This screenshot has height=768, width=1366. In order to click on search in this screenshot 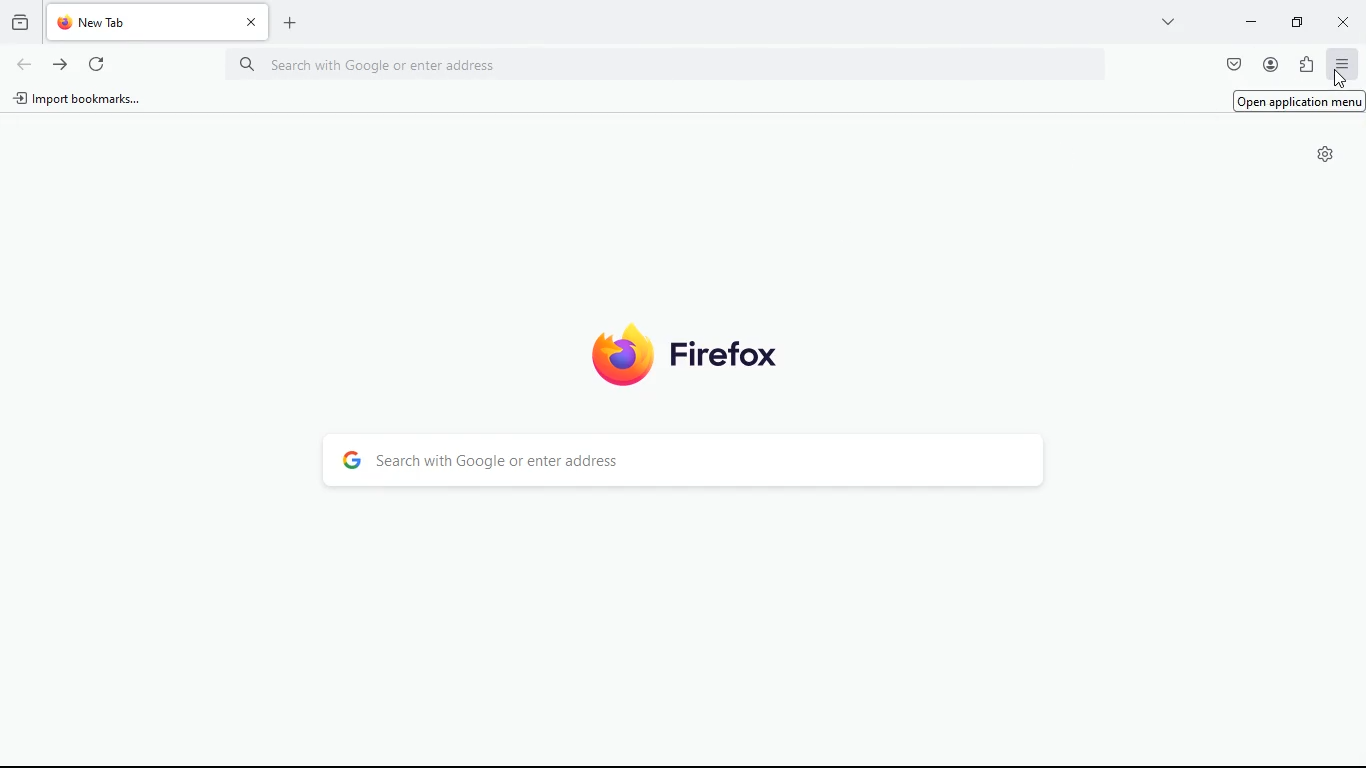, I will do `click(682, 460)`.